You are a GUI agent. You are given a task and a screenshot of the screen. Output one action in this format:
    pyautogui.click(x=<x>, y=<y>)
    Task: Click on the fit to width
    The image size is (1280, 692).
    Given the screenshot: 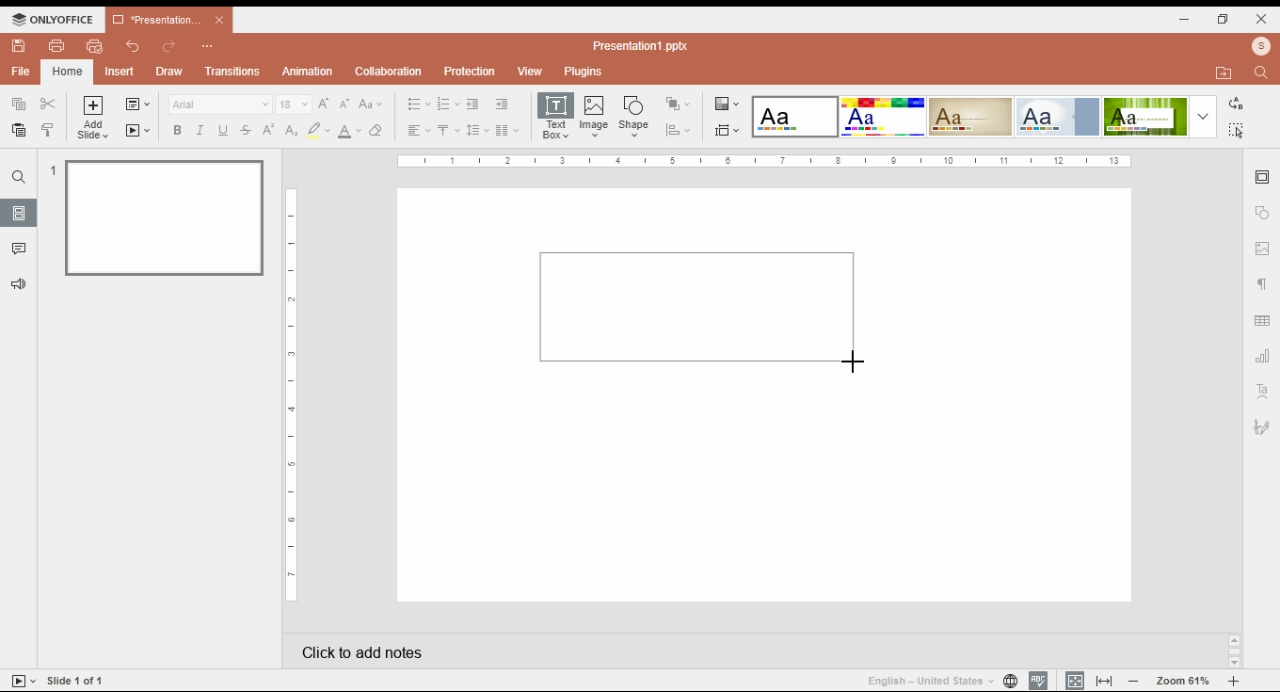 What is the action you would take?
    pyautogui.click(x=1105, y=680)
    